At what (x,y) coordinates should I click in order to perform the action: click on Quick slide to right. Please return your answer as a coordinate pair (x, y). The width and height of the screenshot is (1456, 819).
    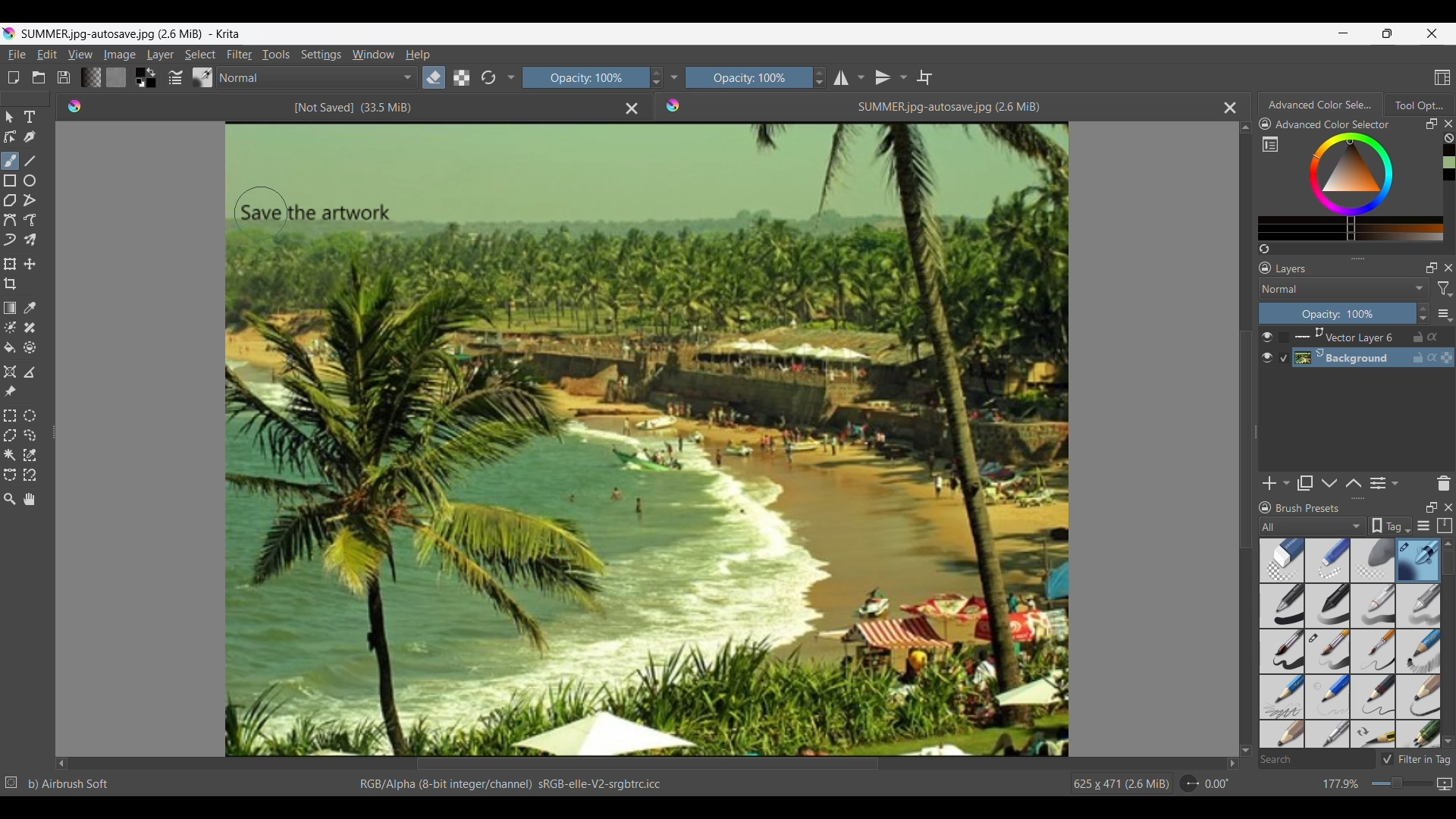
    Looking at the image, I should click on (1232, 764).